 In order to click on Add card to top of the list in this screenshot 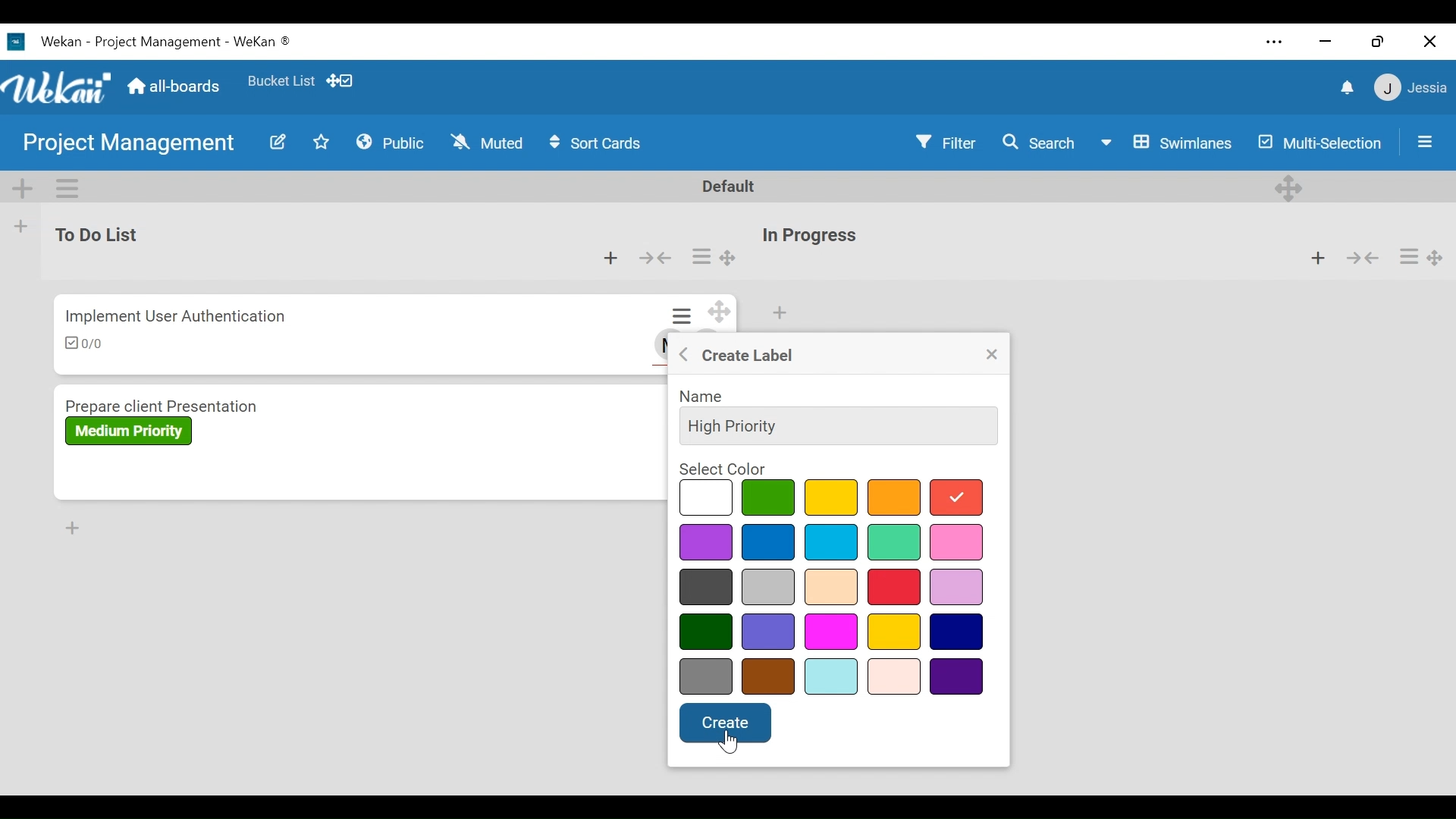, I will do `click(1318, 257)`.